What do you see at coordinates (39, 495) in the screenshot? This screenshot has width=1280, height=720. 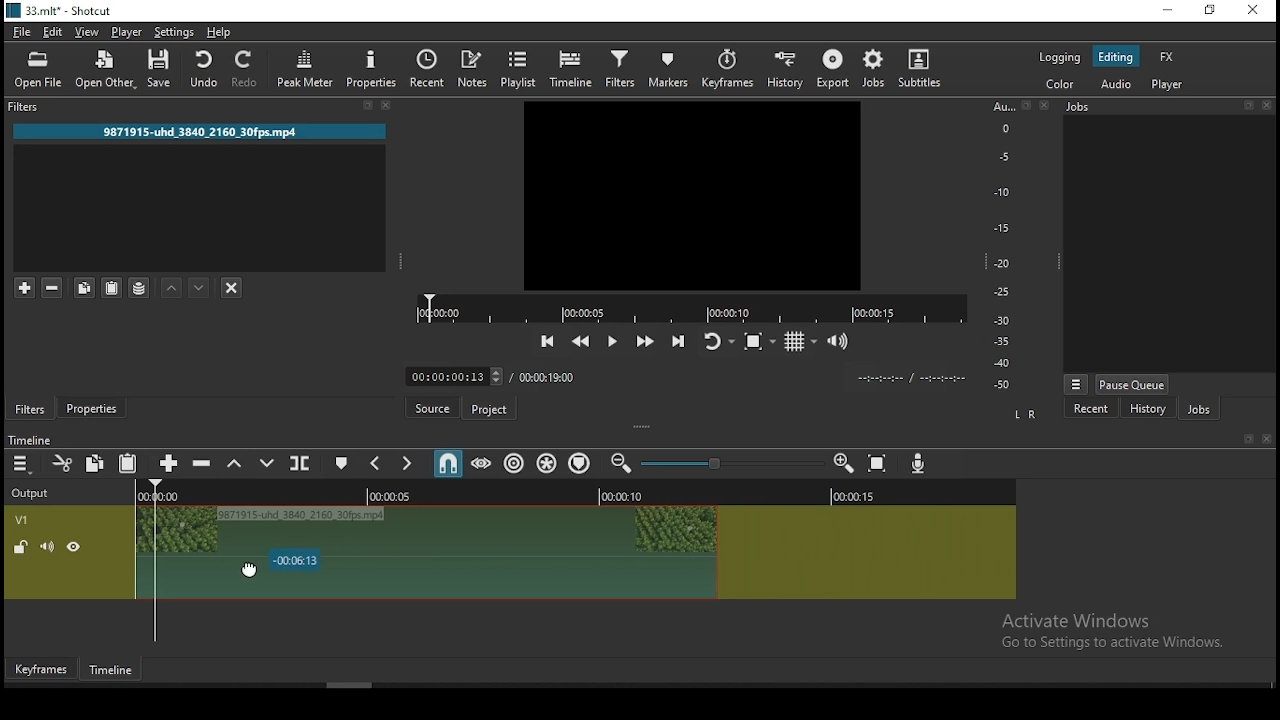 I see `output` at bounding box center [39, 495].